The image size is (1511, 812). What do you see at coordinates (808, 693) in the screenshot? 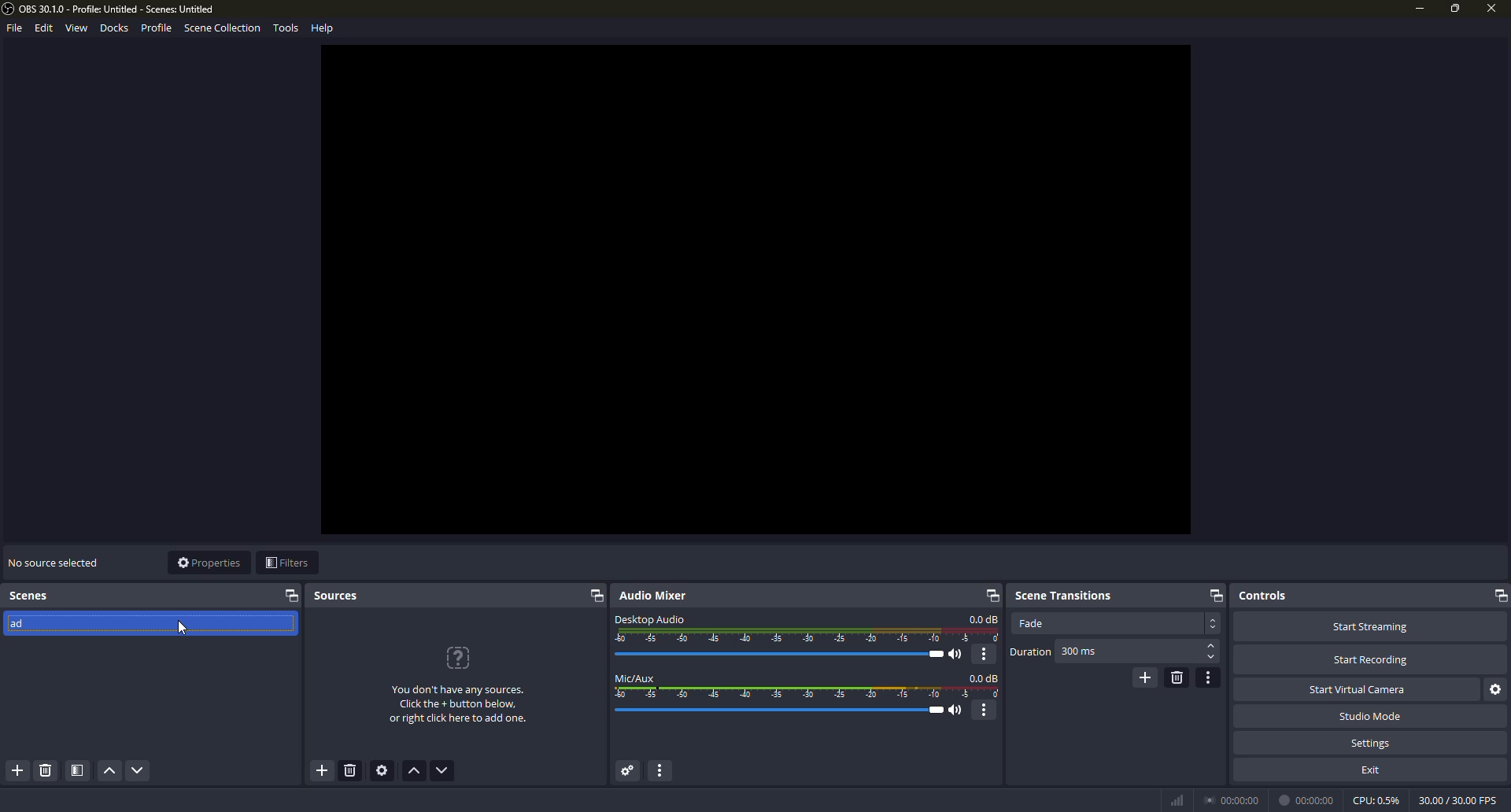
I see `range select` at bounding box center [808, 693].